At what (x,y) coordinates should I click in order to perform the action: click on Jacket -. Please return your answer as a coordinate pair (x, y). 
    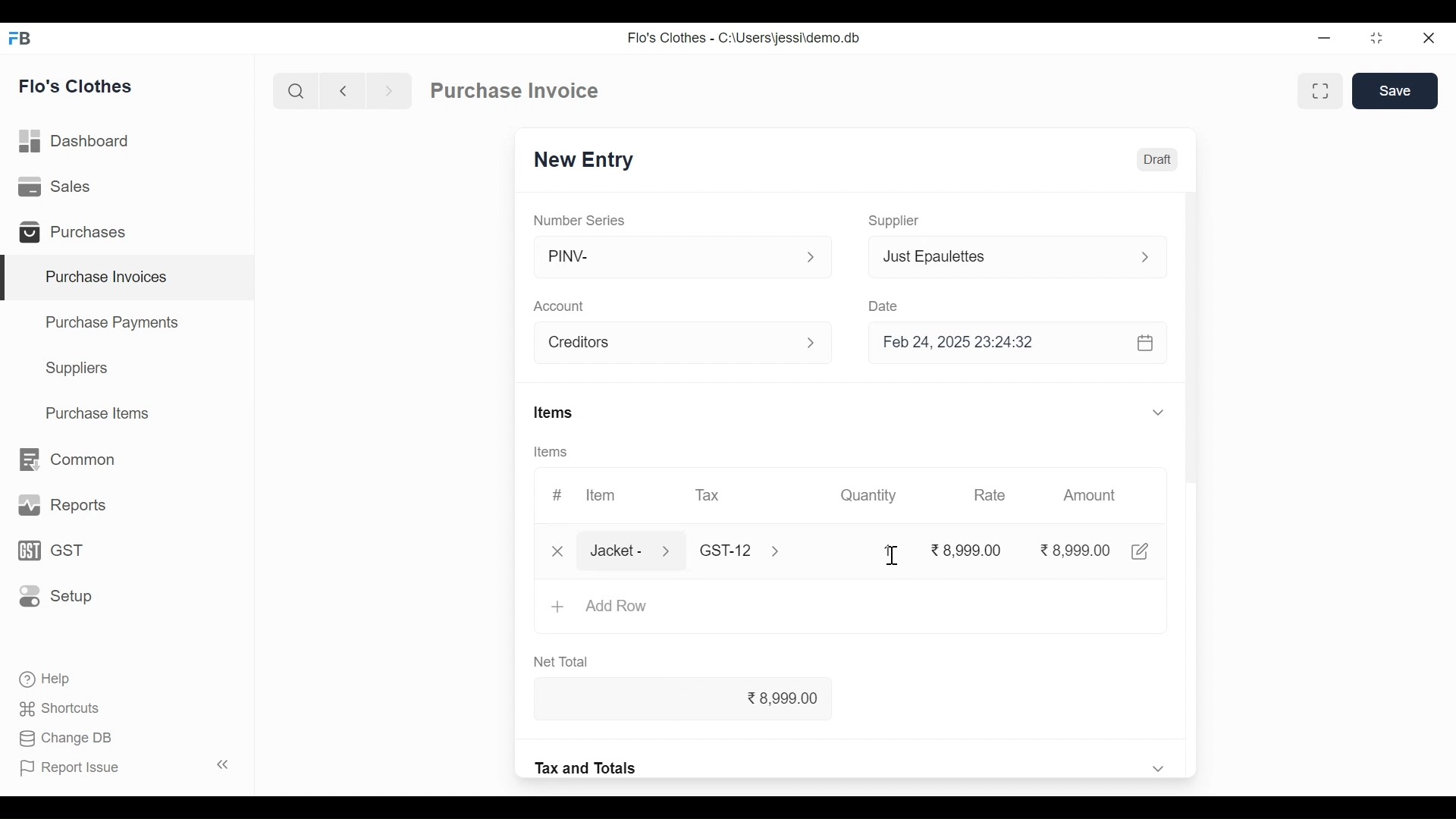
    Looking at the image, I should click on (617, 550).